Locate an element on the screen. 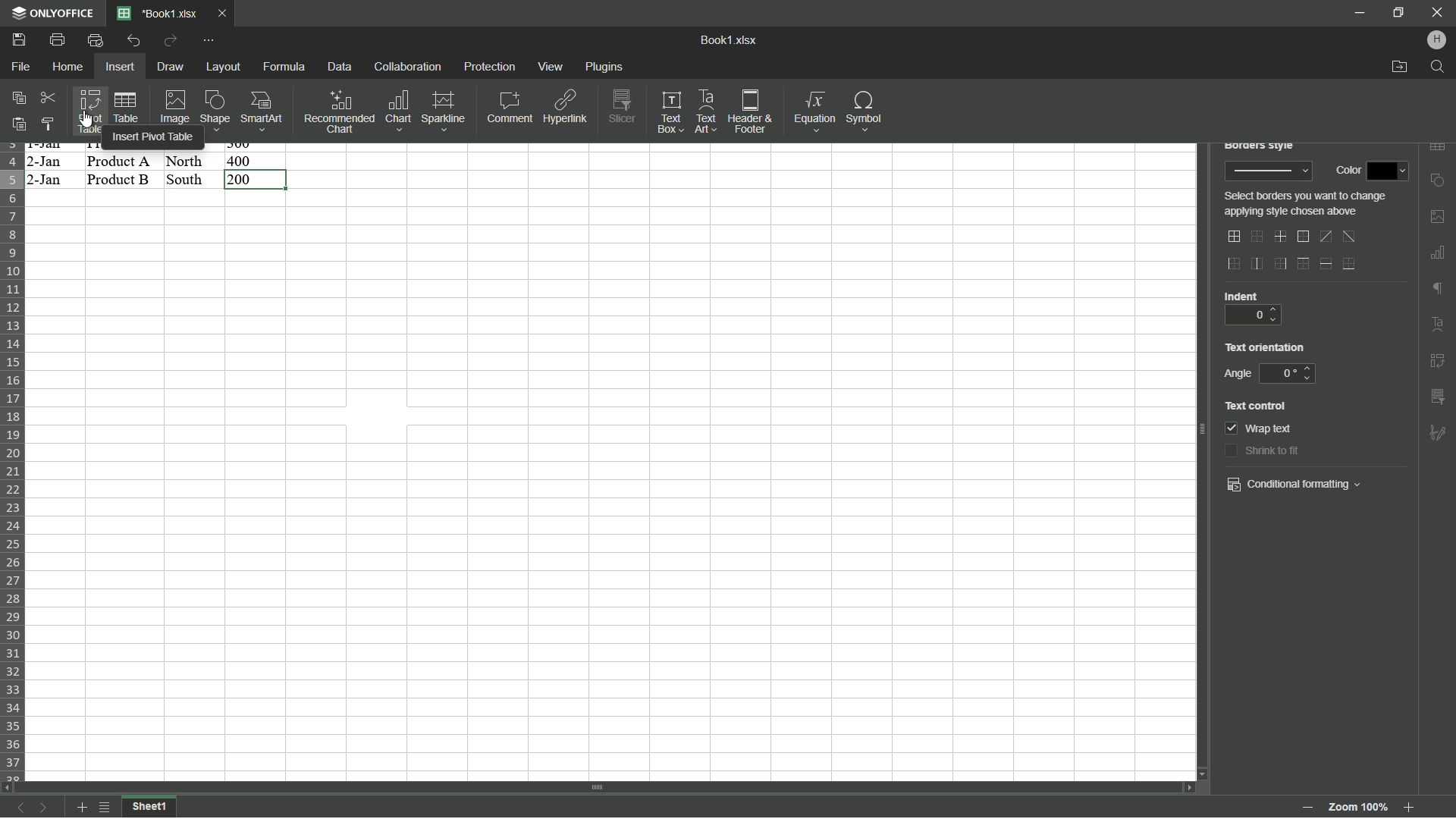 This screenshot has height=819, width=1456. shrink to fit is located at coordinates (1262, 450).